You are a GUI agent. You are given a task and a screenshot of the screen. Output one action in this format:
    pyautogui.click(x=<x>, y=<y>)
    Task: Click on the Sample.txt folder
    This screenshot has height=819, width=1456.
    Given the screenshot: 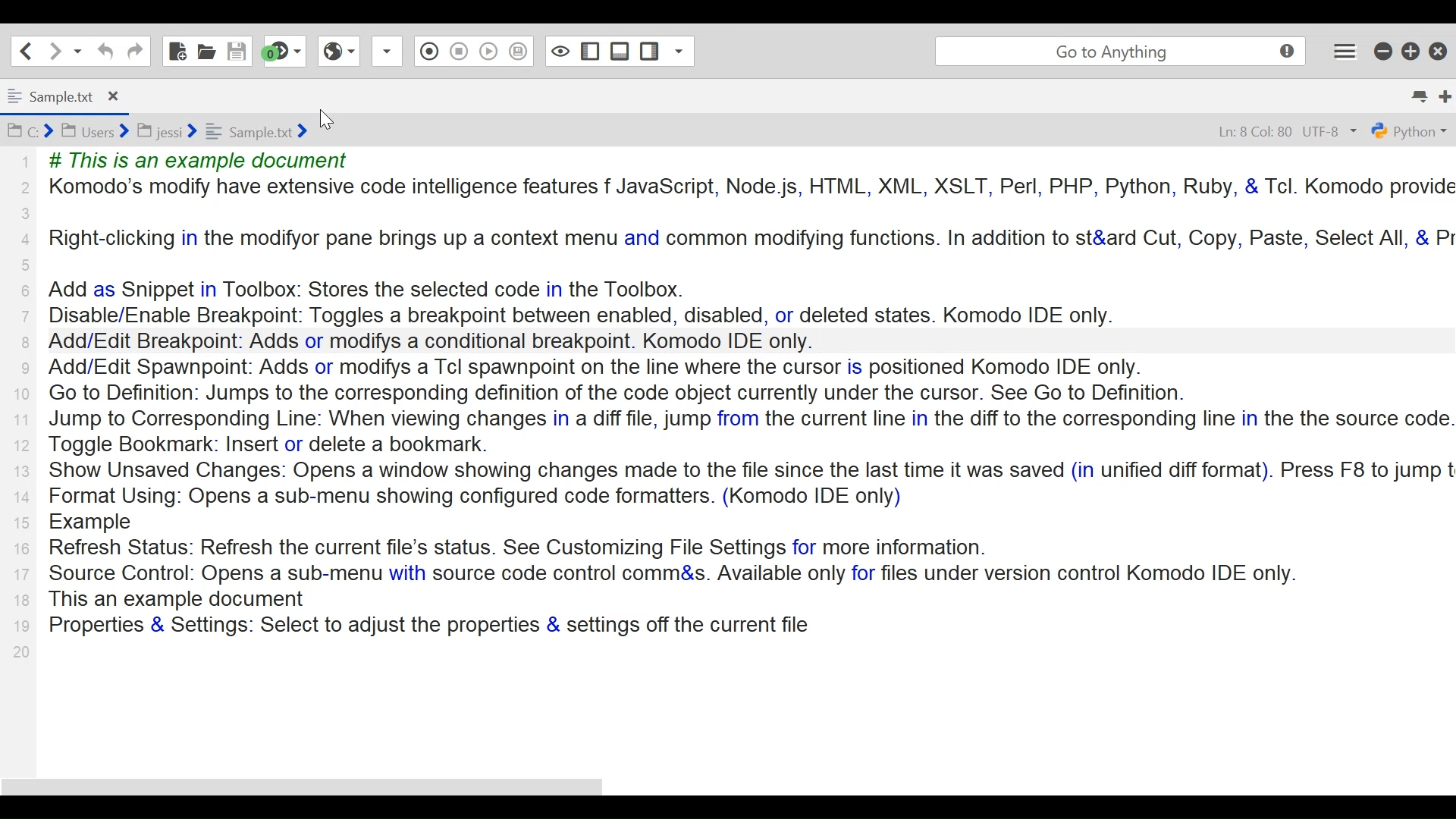 What is the action you would take?
    pyautogui.click(x=255, y=129)
    